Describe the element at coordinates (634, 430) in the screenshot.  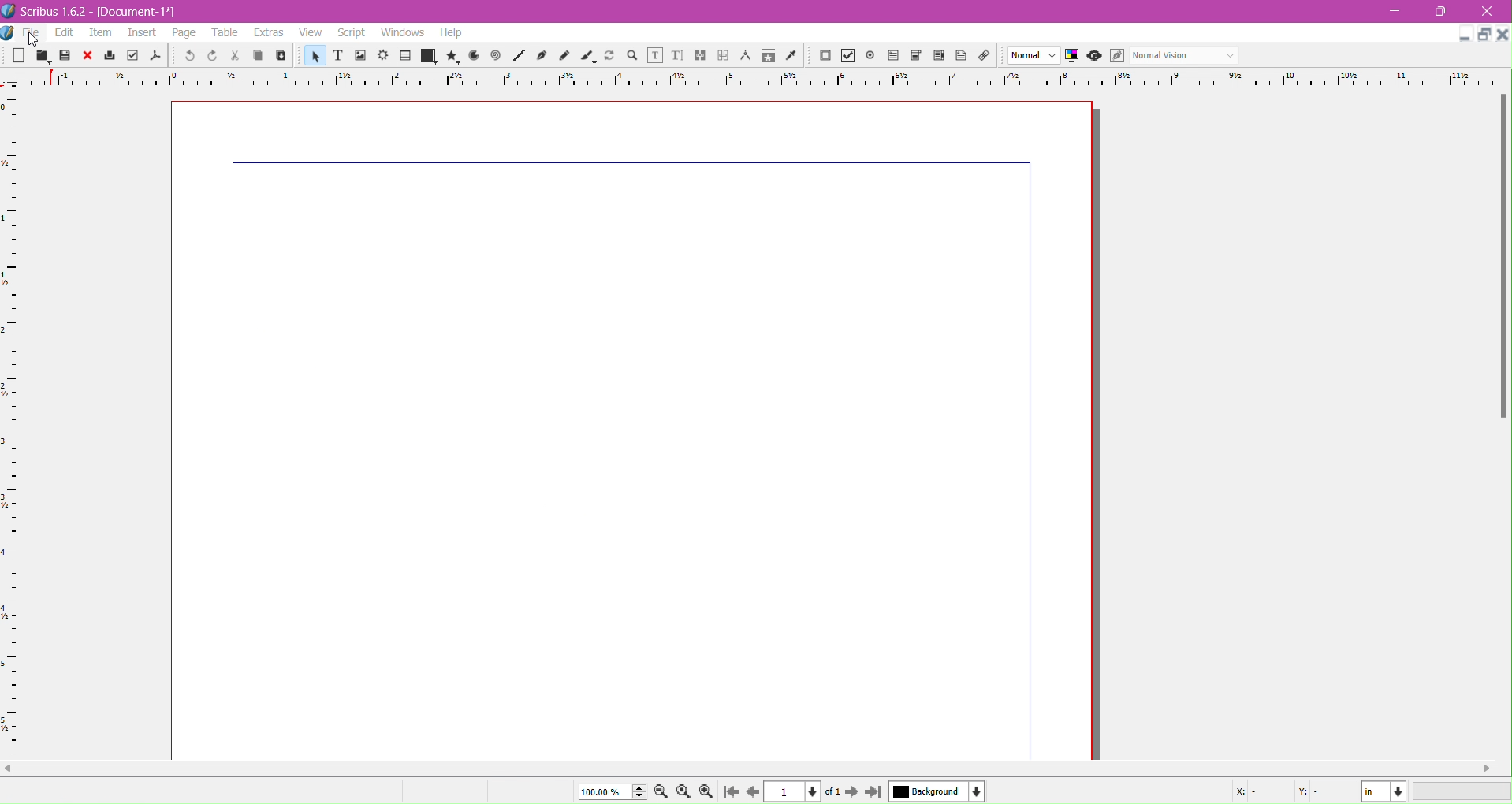
I see `document` at that location.